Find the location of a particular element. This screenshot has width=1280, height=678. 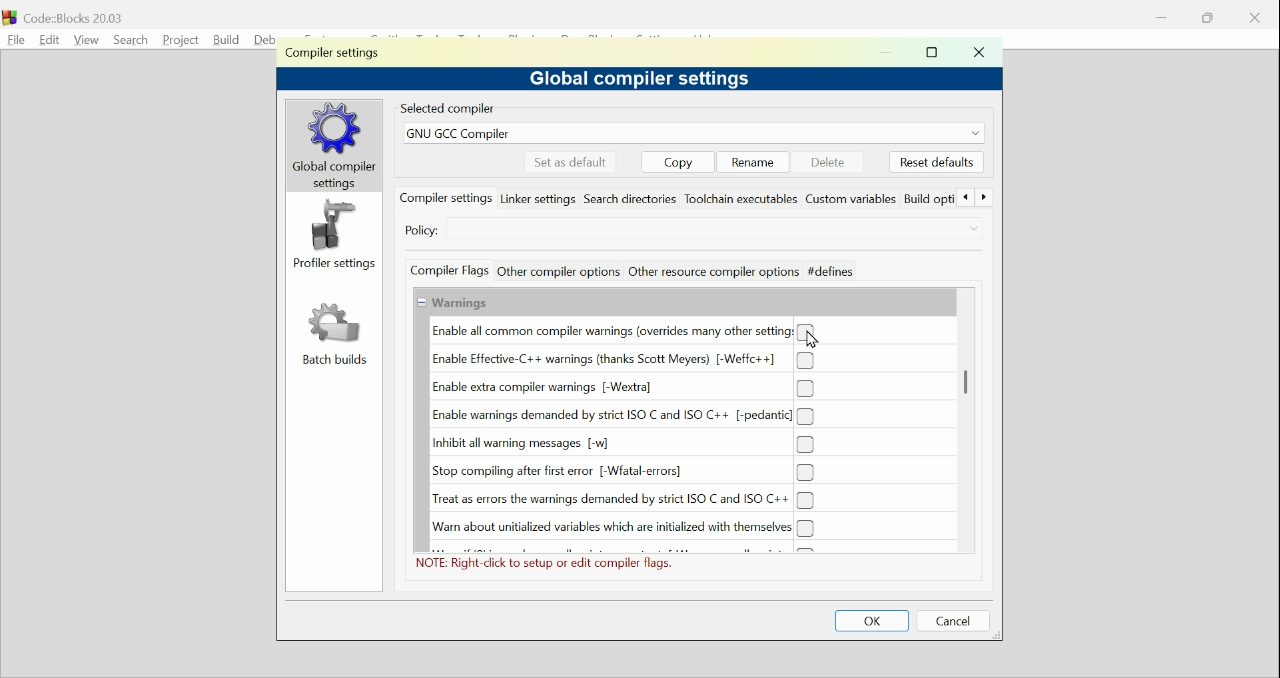

minimise is located at coordinates (1162, 17).